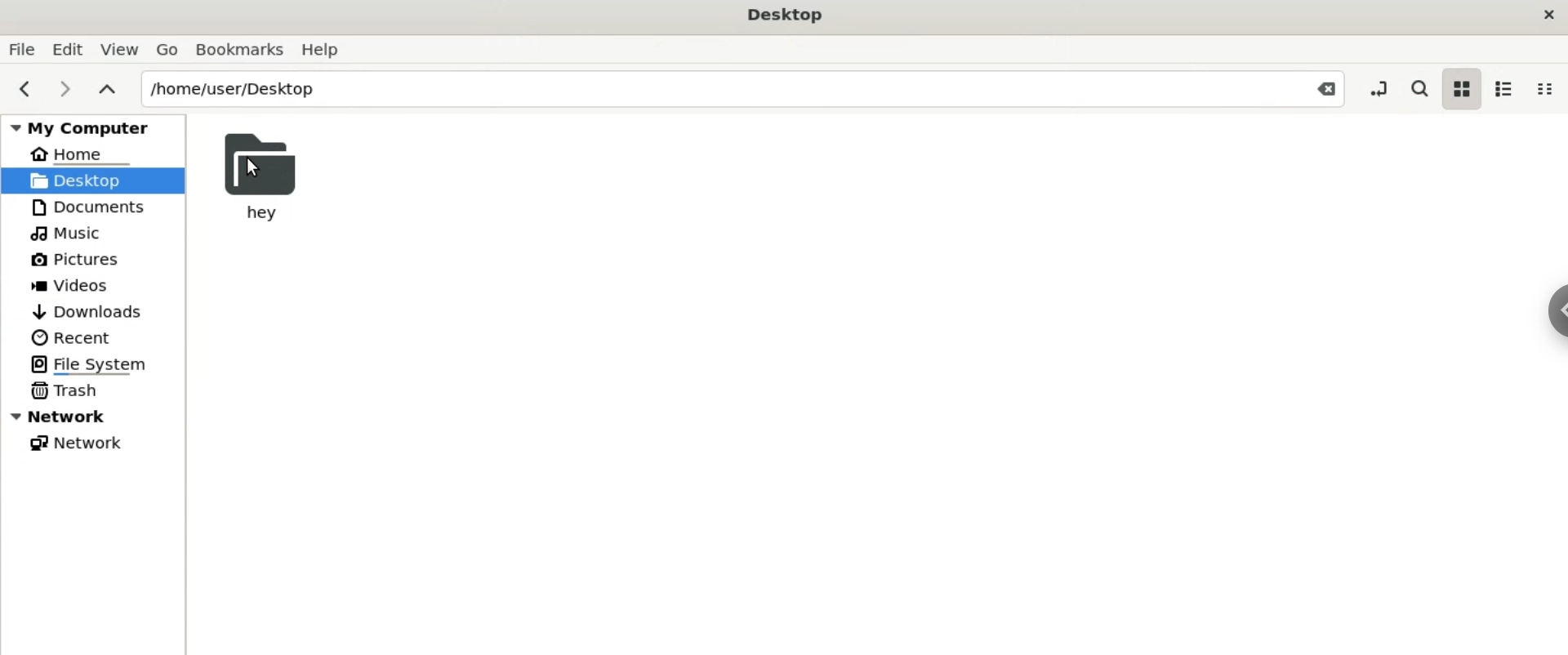 The image size is (1568, 655). Describe the element at coordinates (1554, 310) in the screenshot. I see `chrome options` at that location.